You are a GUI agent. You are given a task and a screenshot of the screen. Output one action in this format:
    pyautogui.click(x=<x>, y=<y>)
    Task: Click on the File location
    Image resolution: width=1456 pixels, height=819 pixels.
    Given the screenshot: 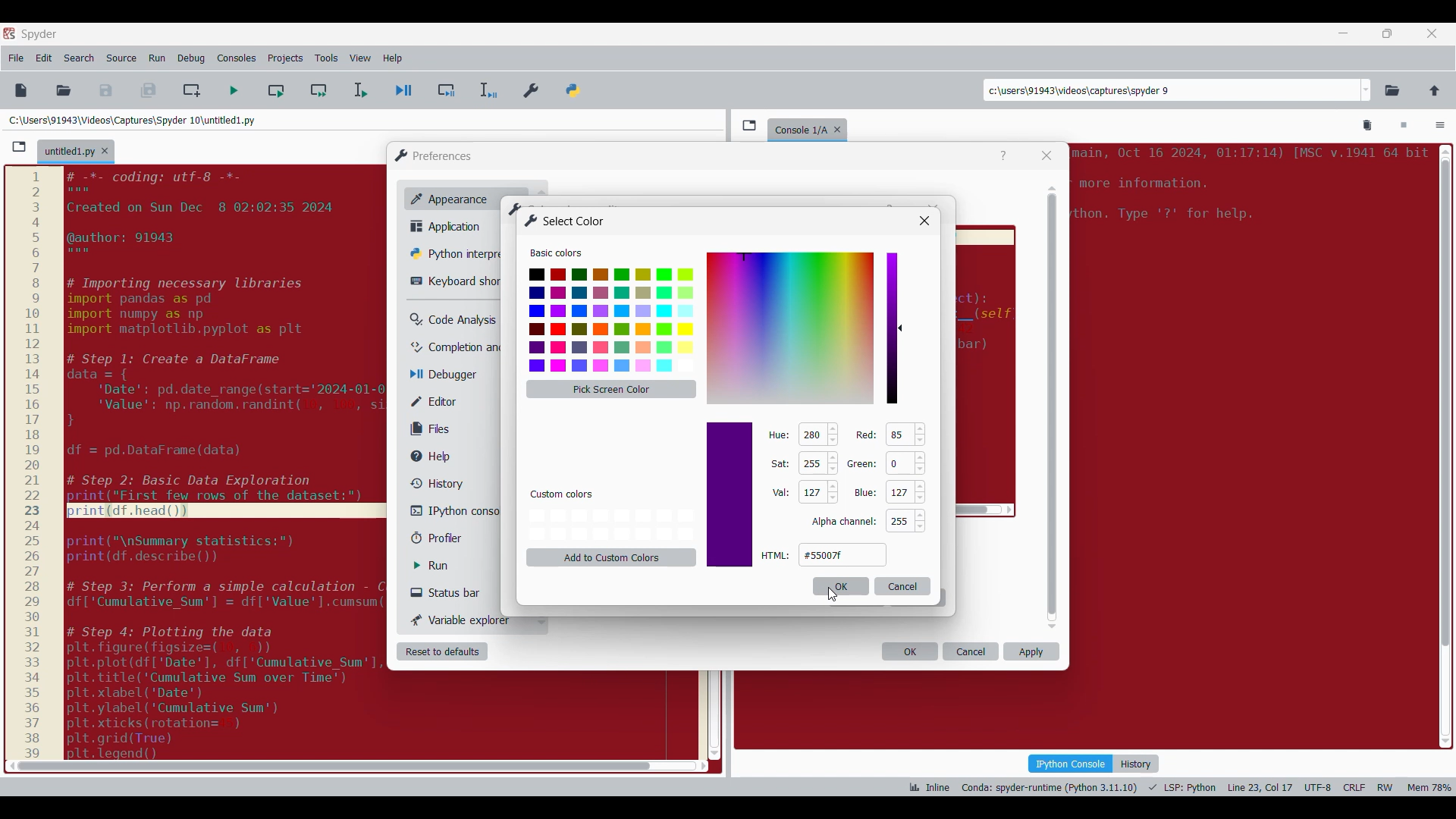 What is the action you would take?
    pyautogui.click(x=132, y=120)
    